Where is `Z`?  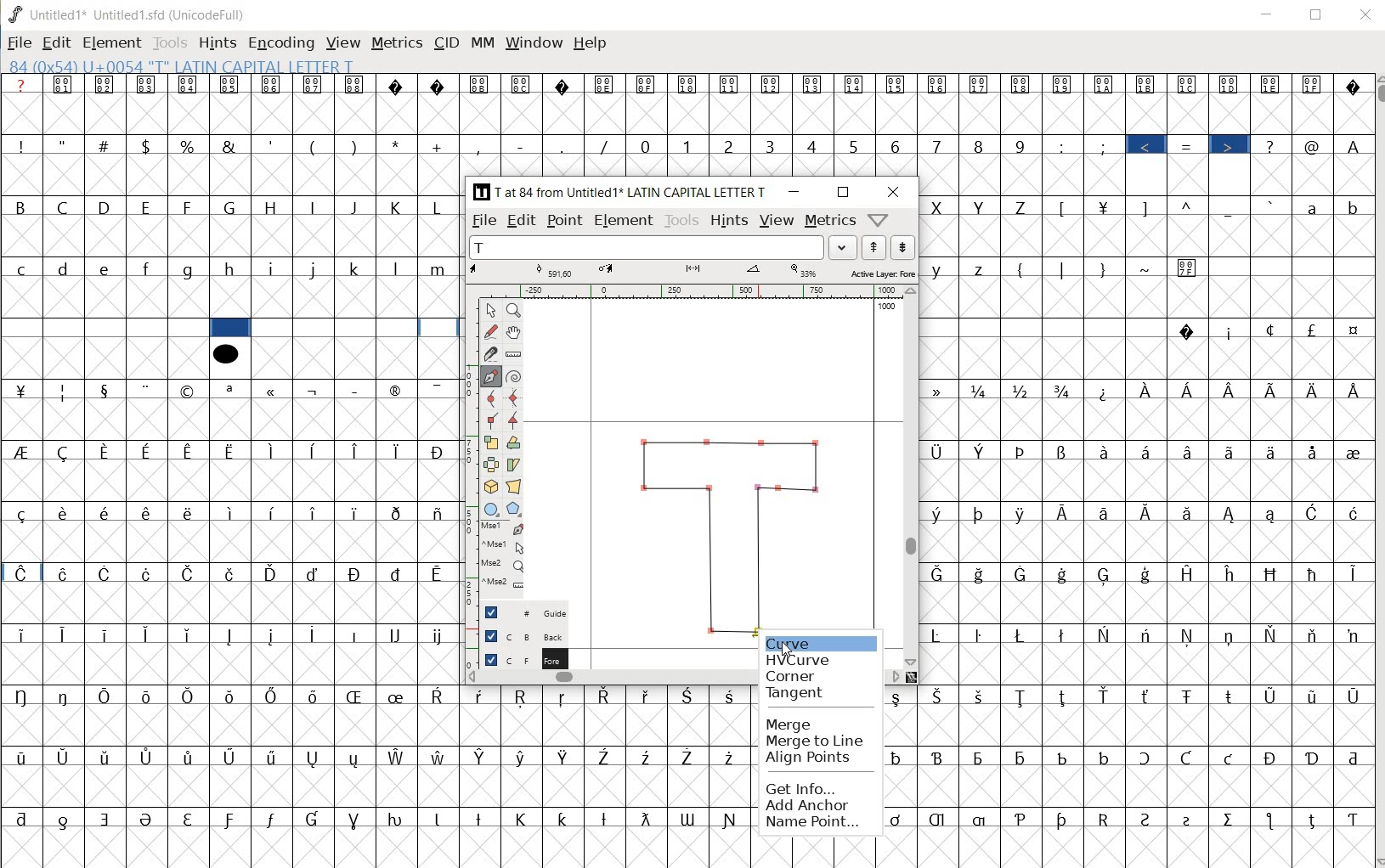
Z is located at coordinates (1024, 206).